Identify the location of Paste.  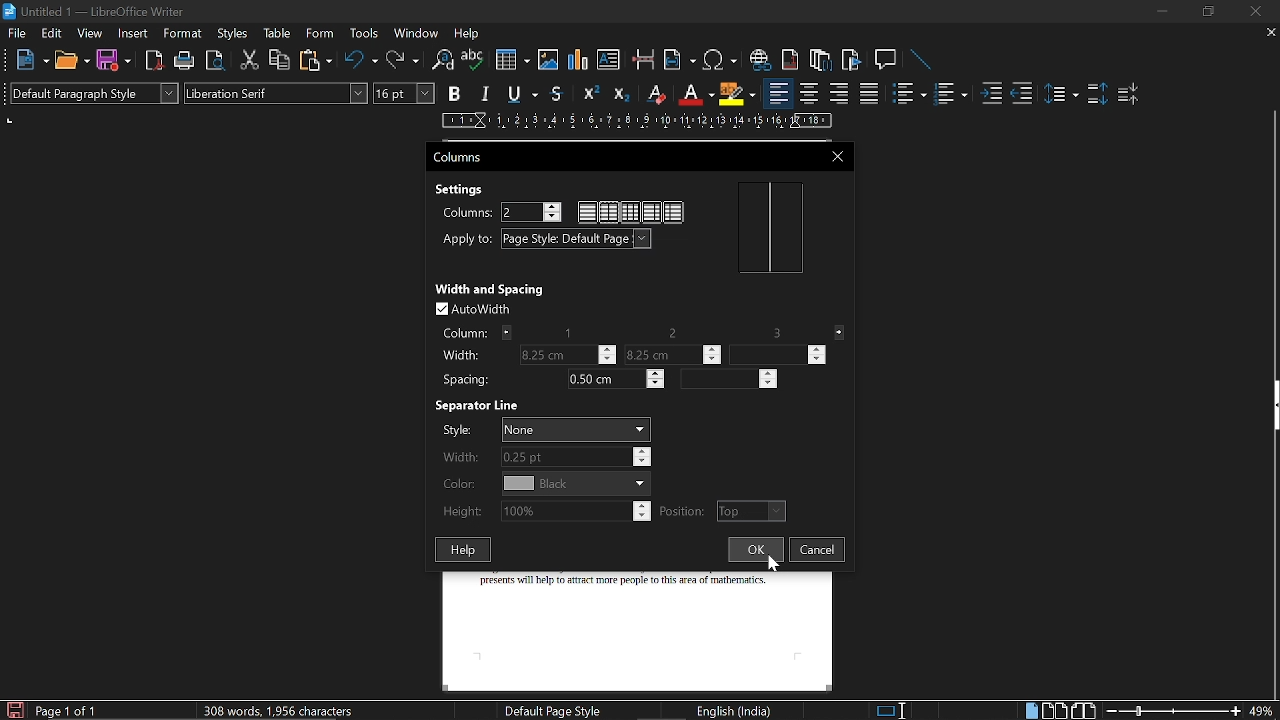
(316, 61).